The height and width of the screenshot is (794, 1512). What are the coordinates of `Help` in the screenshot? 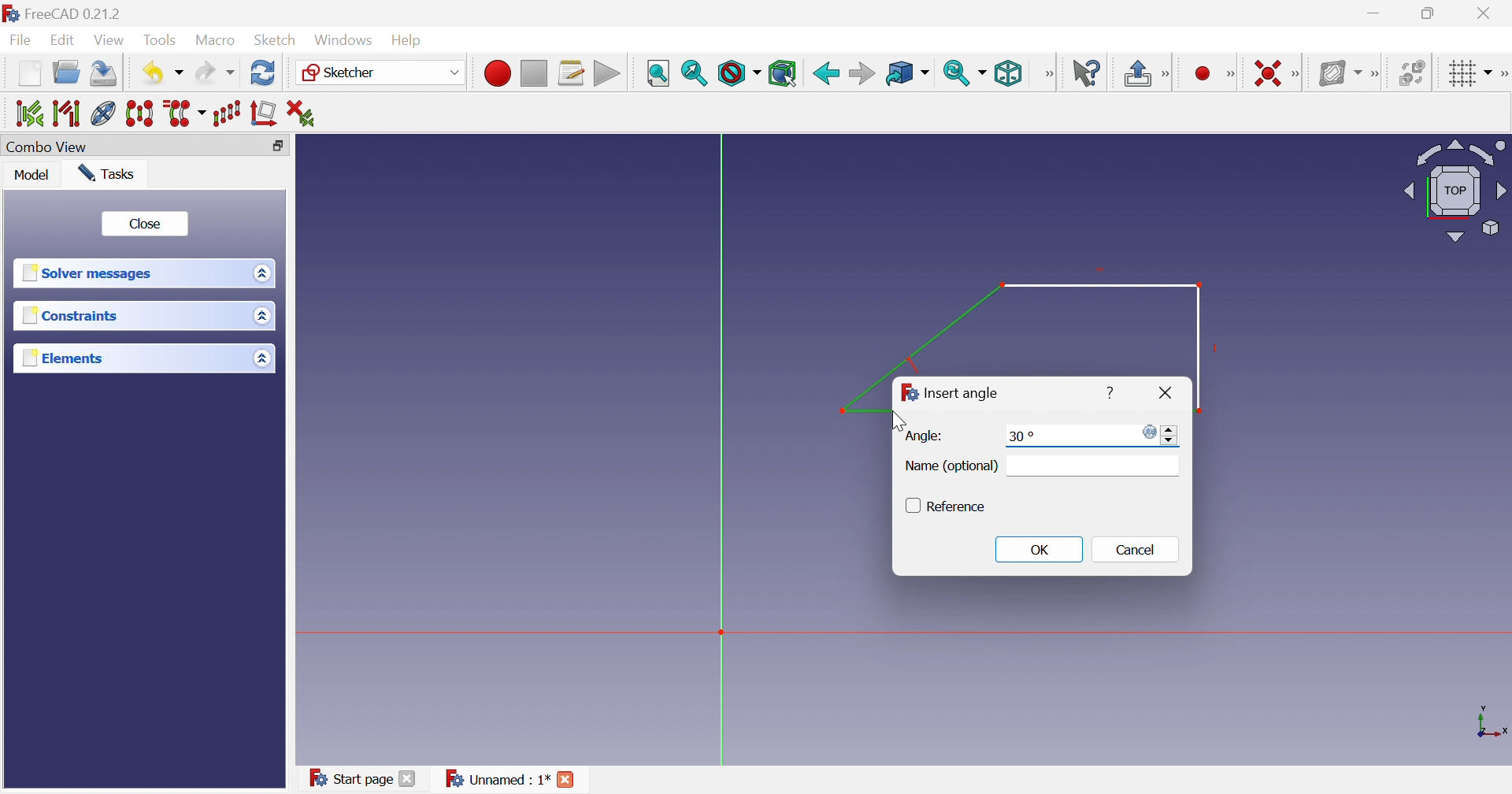 It's located at (413, 39).